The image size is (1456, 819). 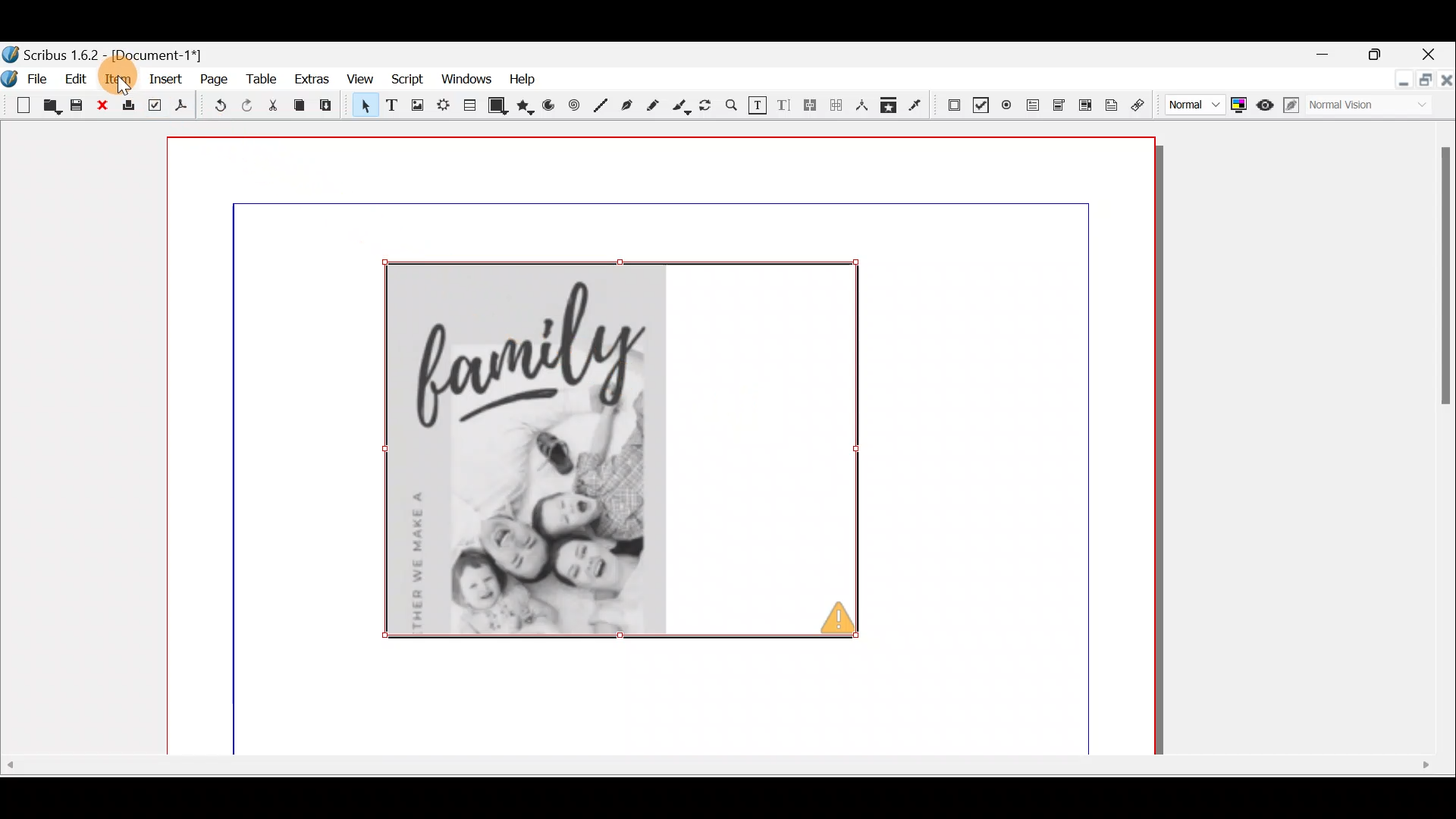 I want to click on Save, so click(x=77, y=106).